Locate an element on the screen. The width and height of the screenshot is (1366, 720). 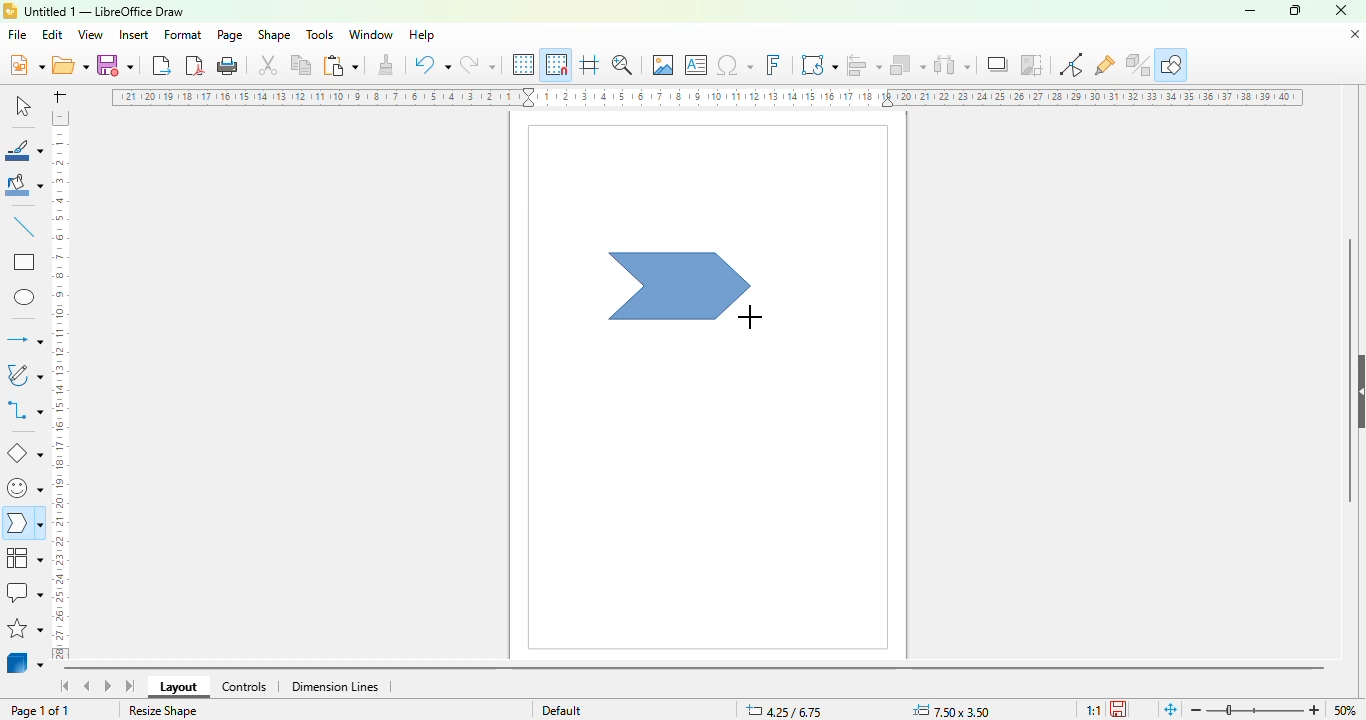
open is located at coordinates (70, 64).